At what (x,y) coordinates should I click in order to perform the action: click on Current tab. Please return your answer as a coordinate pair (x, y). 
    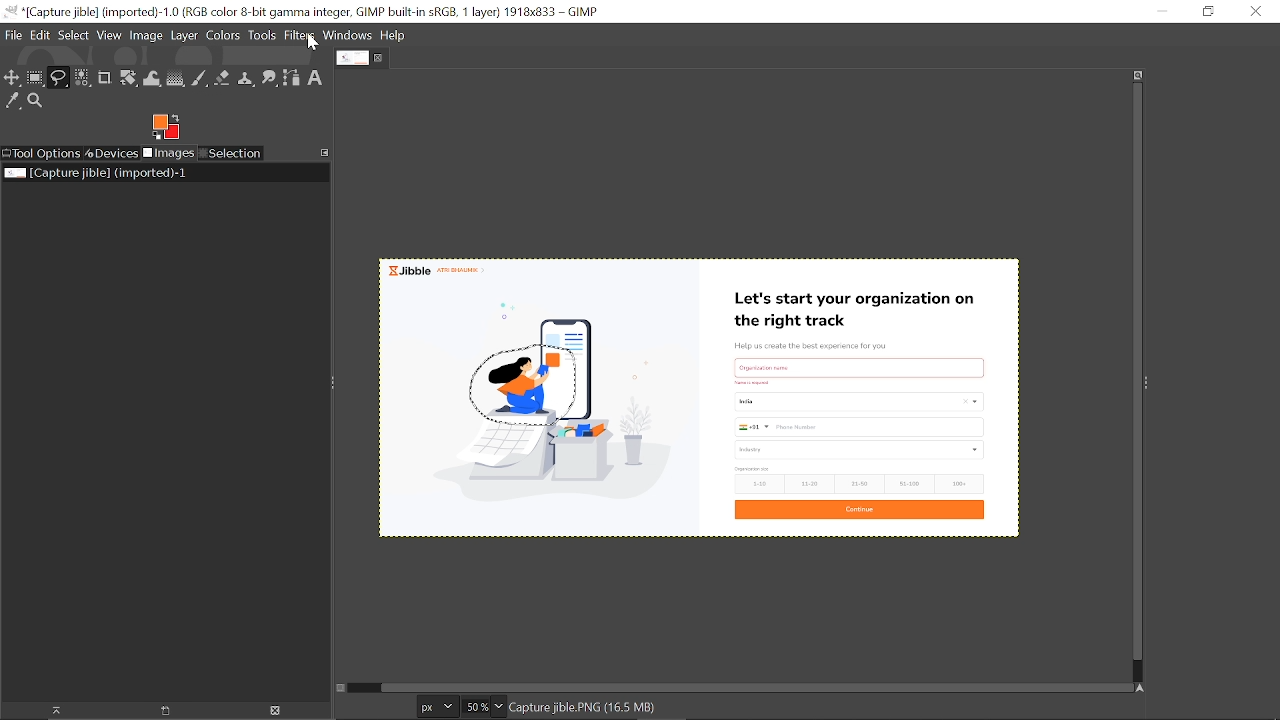
    Looking at the image, I should click on (352, 58).